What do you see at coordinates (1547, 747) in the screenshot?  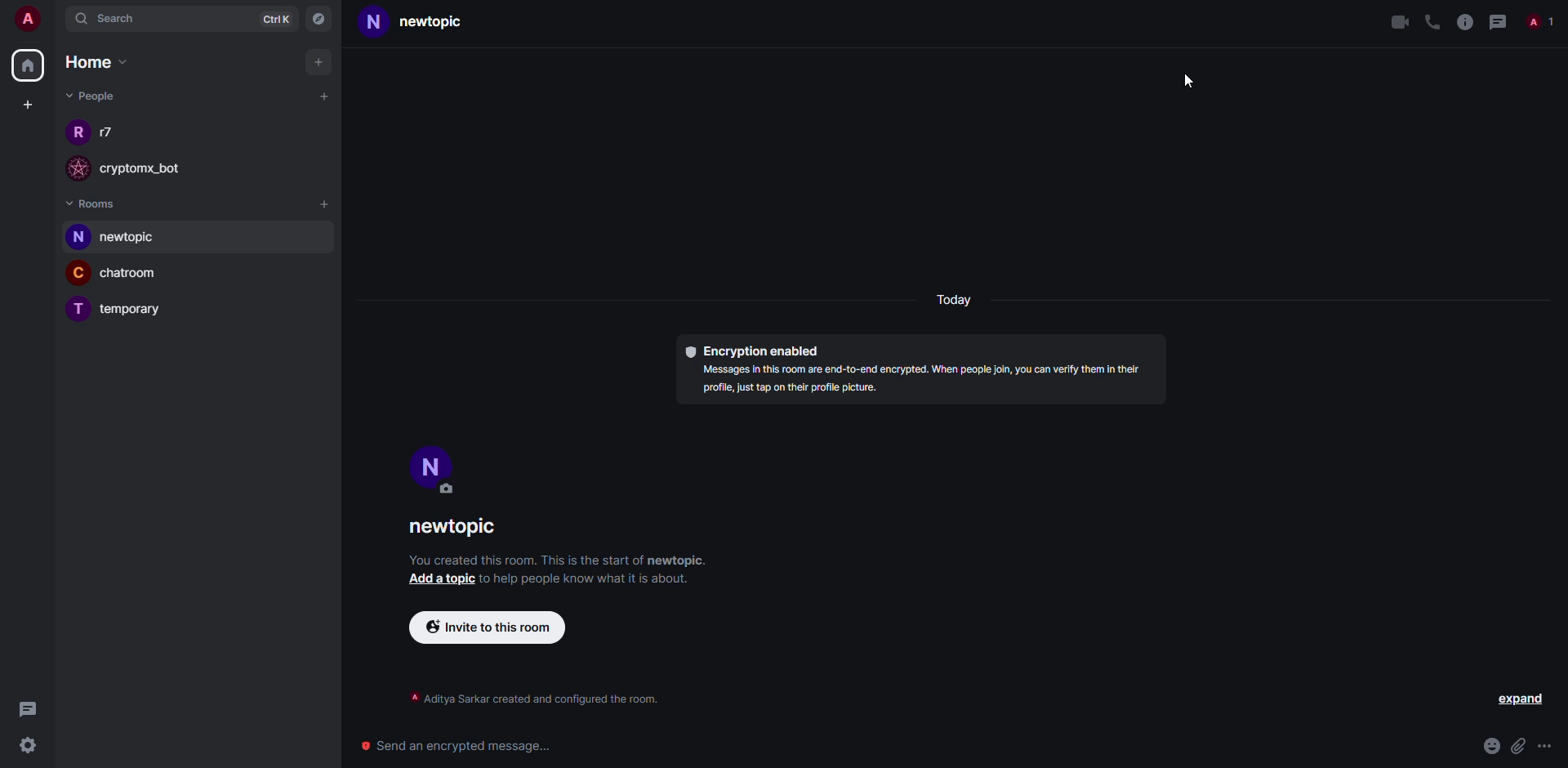 I see `more` at bounding box center [1547, 747].